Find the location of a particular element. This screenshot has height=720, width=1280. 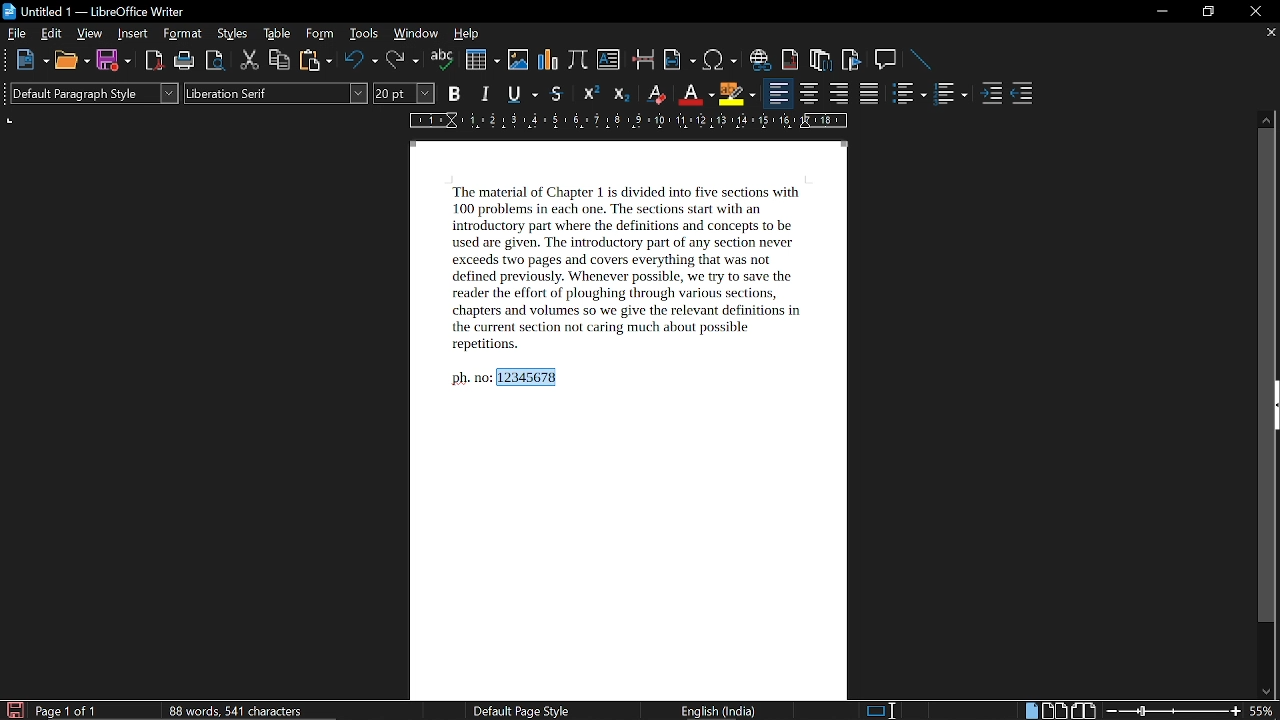

paste is located at coordinates (316, 60).